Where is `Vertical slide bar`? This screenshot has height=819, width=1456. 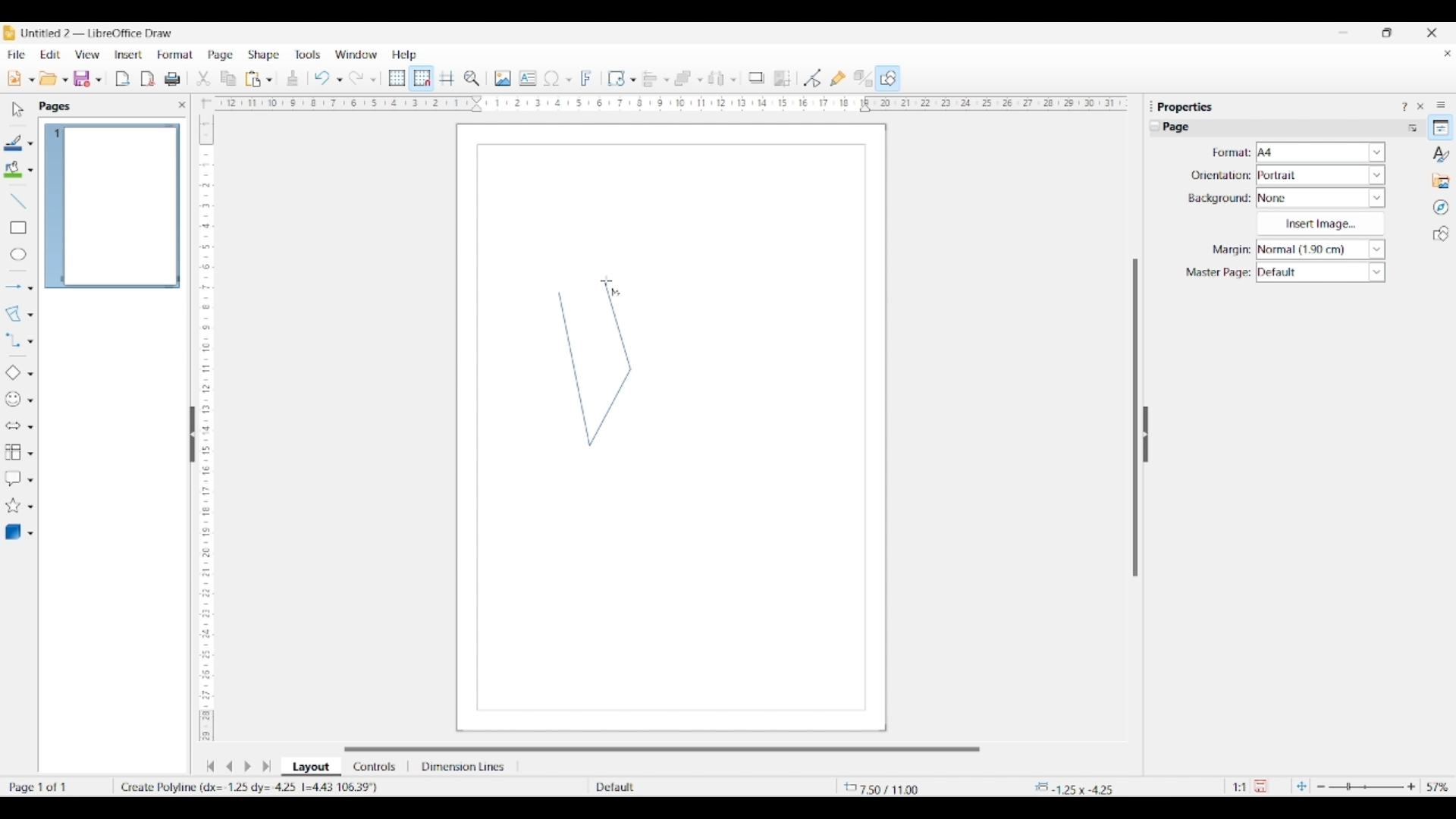 Vertical slide bar is located at coordinates (1135, 418).